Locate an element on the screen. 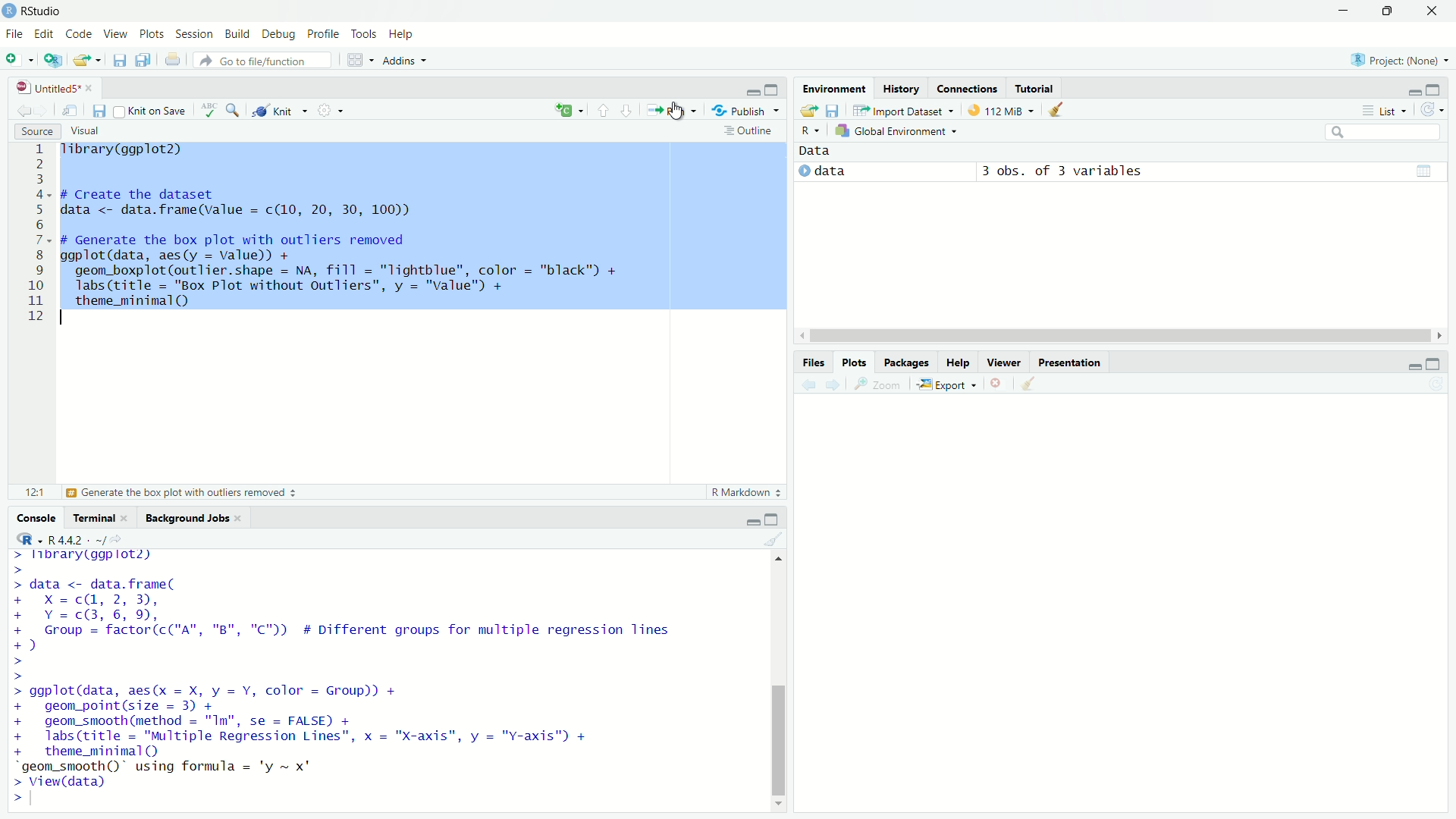  Help is located at coordinates (408, 33).